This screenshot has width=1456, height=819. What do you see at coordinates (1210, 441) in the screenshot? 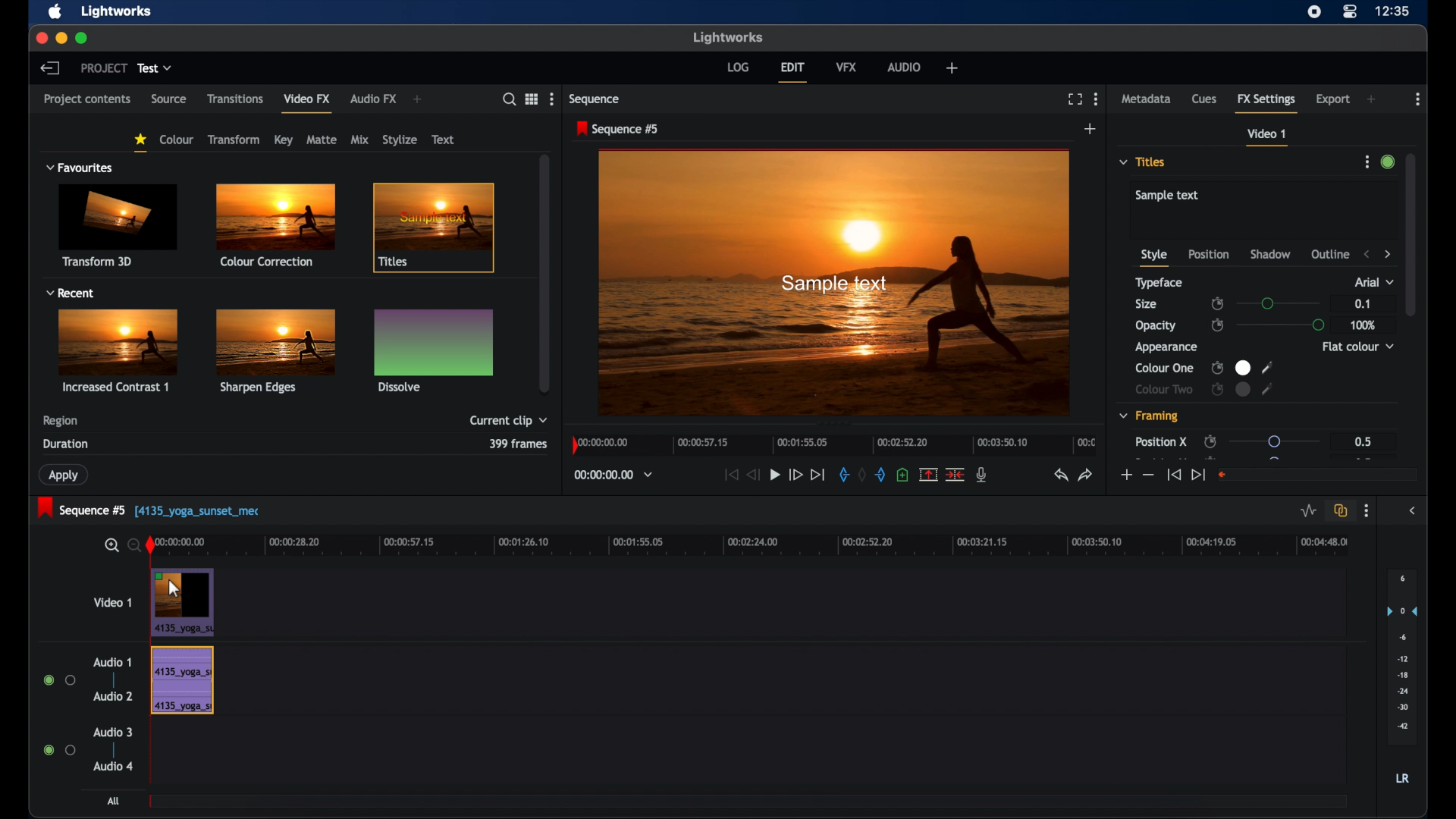
I see `enable/disable` at bounding box center [1210, 441].